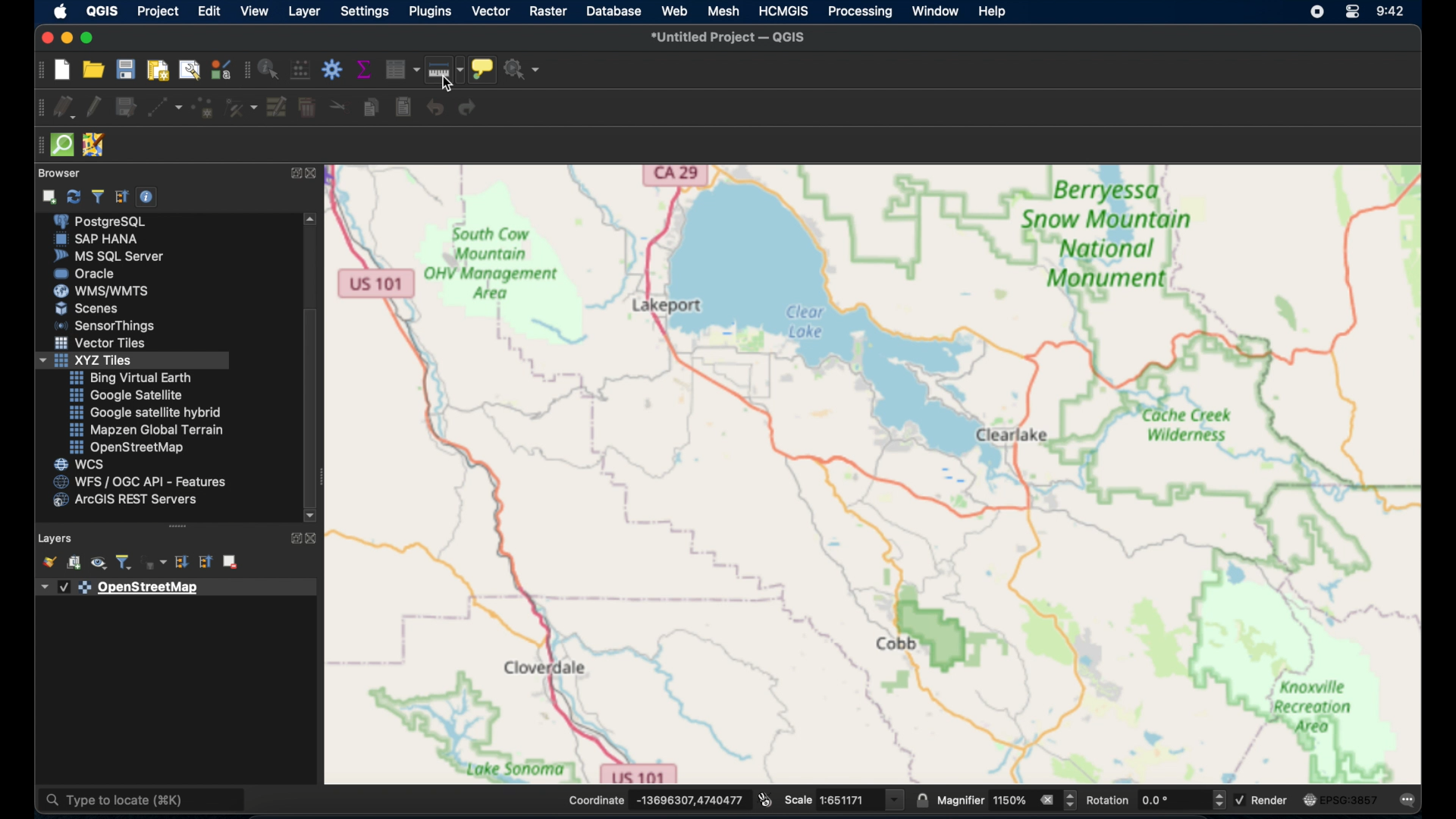 The image size is (1456, 819). I want to click on collapse all, so click(203, 562).